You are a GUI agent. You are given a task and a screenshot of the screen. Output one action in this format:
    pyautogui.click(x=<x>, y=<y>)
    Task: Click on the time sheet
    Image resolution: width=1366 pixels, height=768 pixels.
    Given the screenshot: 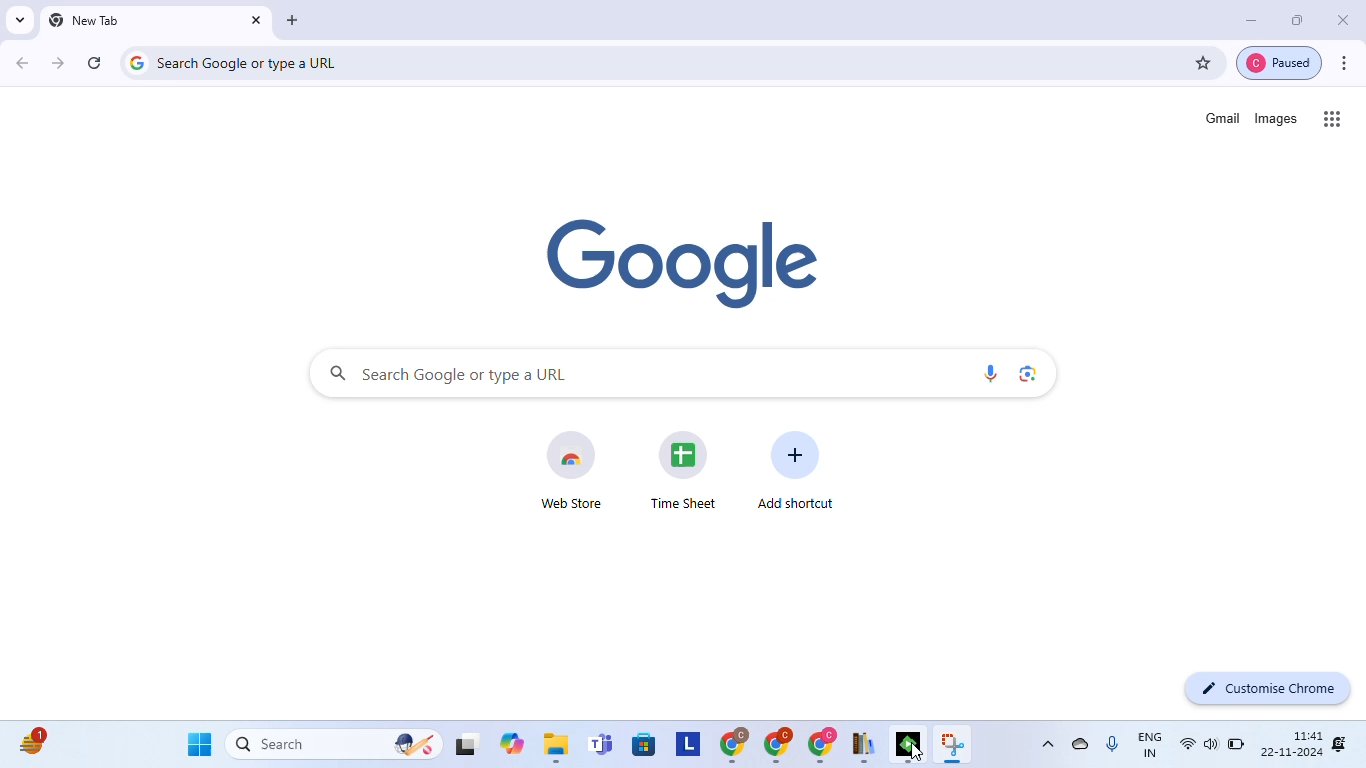 What is the action you would take?
    pyautogui.click(x=683, y=470)
    